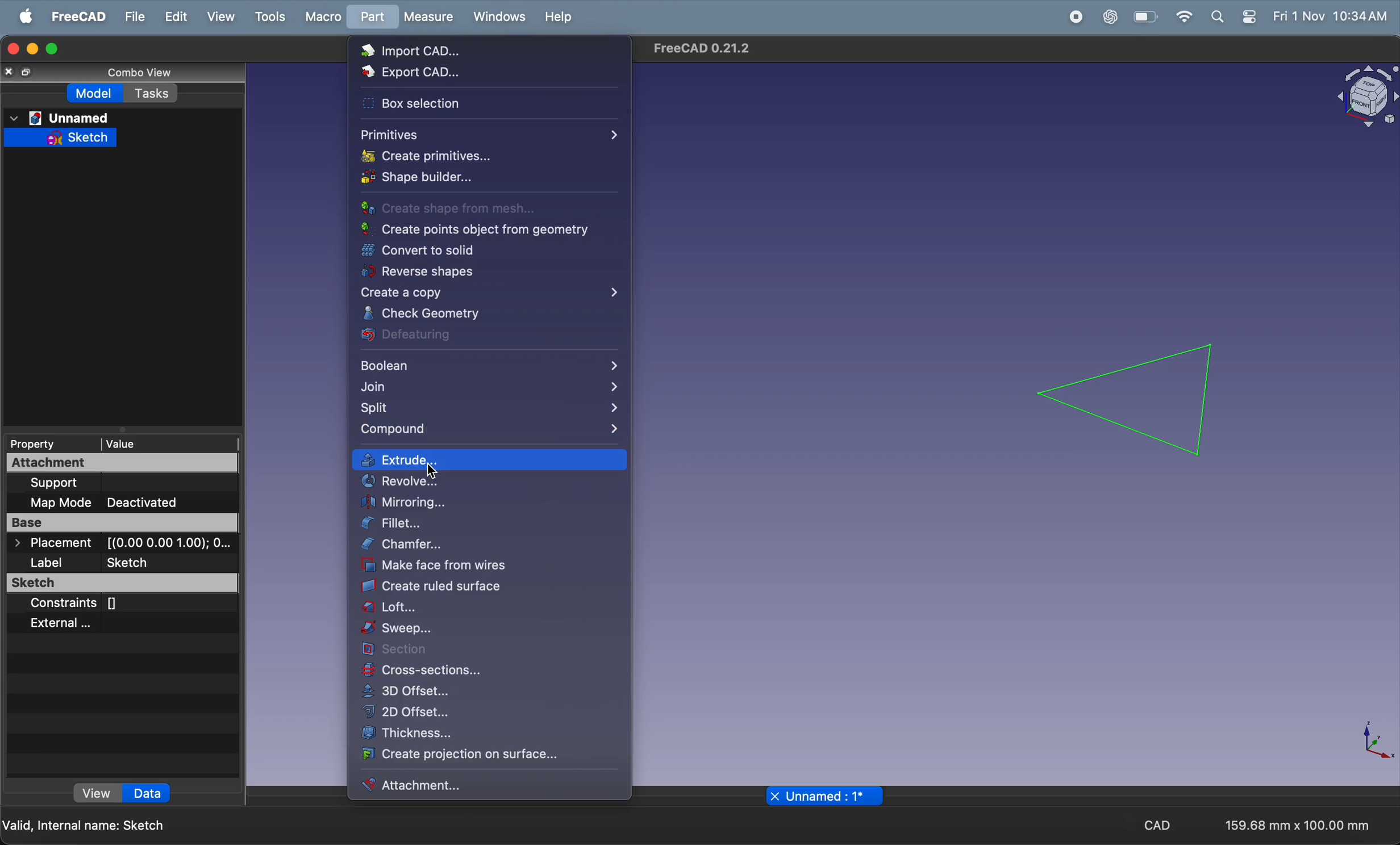 Image resolution: width=1400 pixels, height=845 pixels. Describe the element at coordinates (458, 272) in the screenshot. I see `reverse shapes` at that location.